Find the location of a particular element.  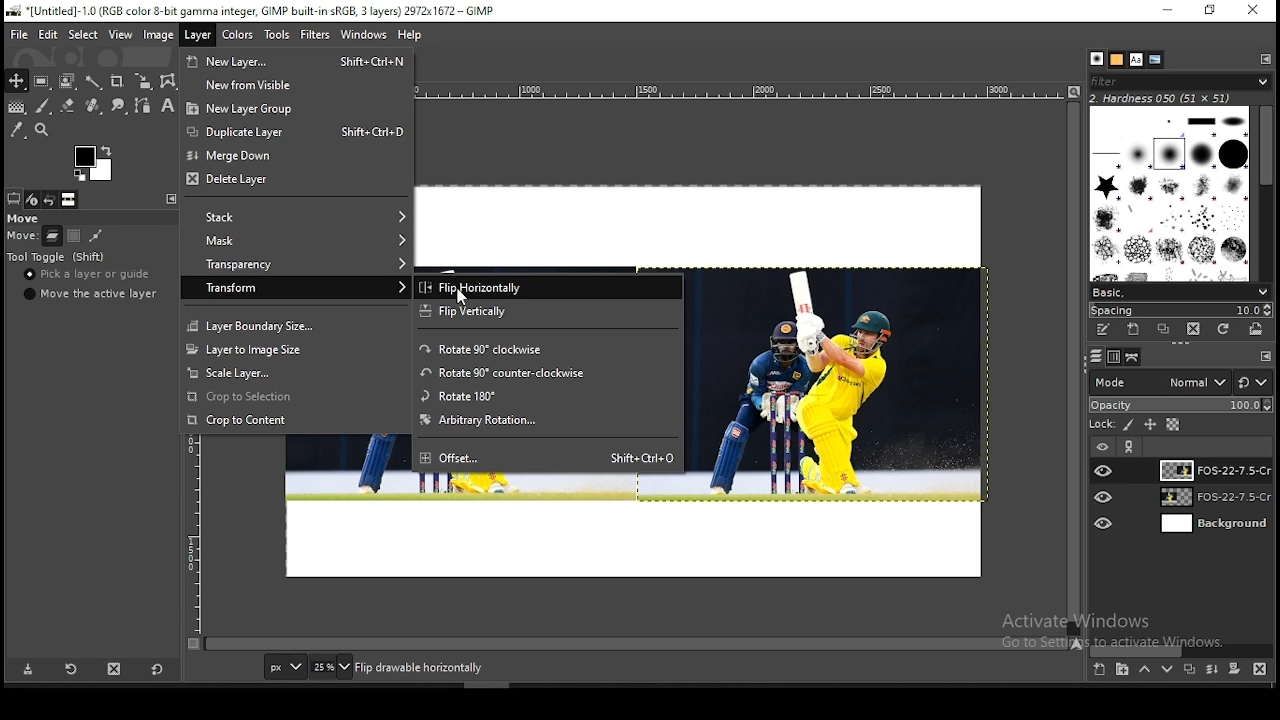

merge down is located at coordinates (295, 155).